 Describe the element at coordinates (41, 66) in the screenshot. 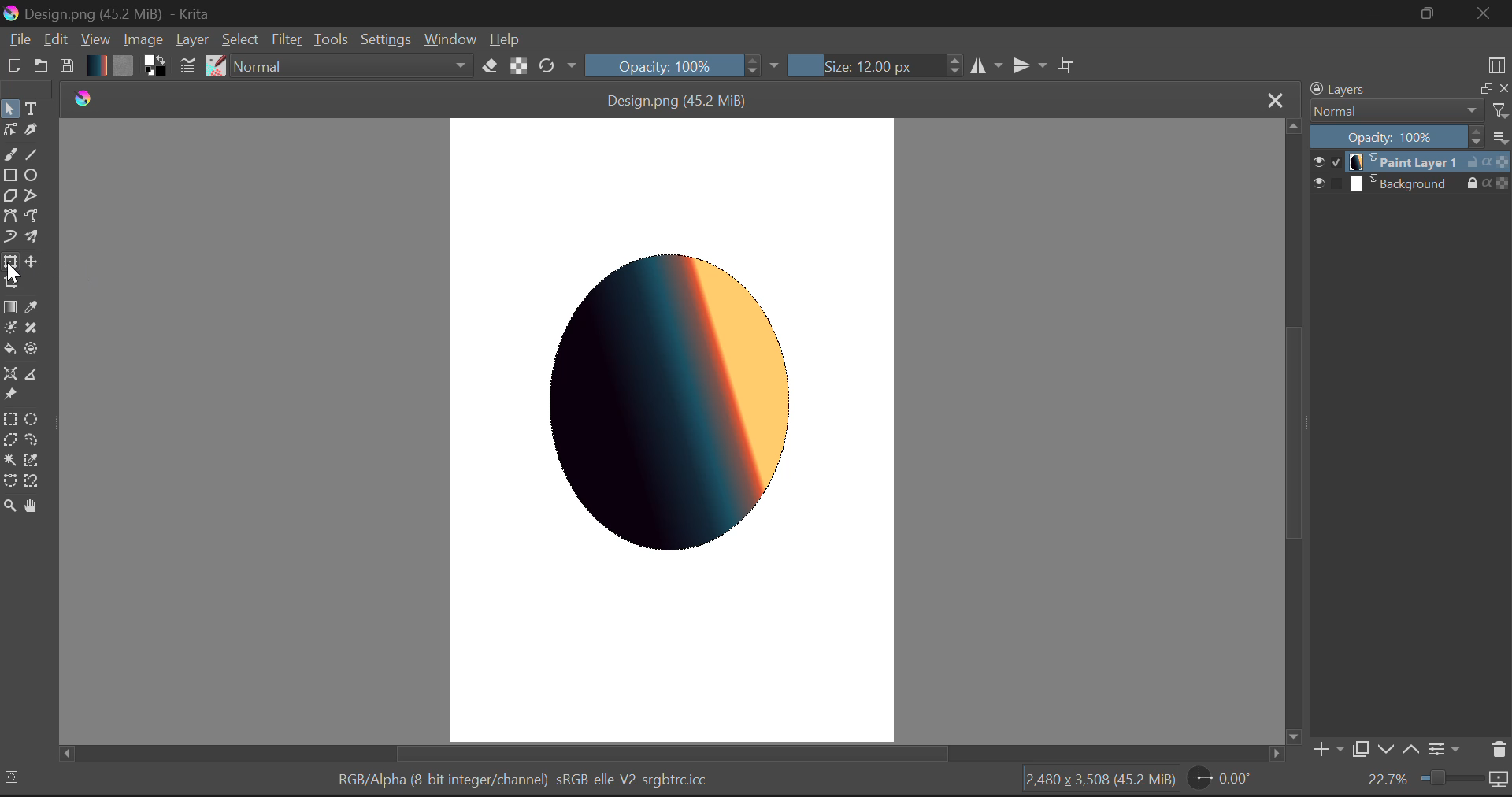

I see `Open` at that location.